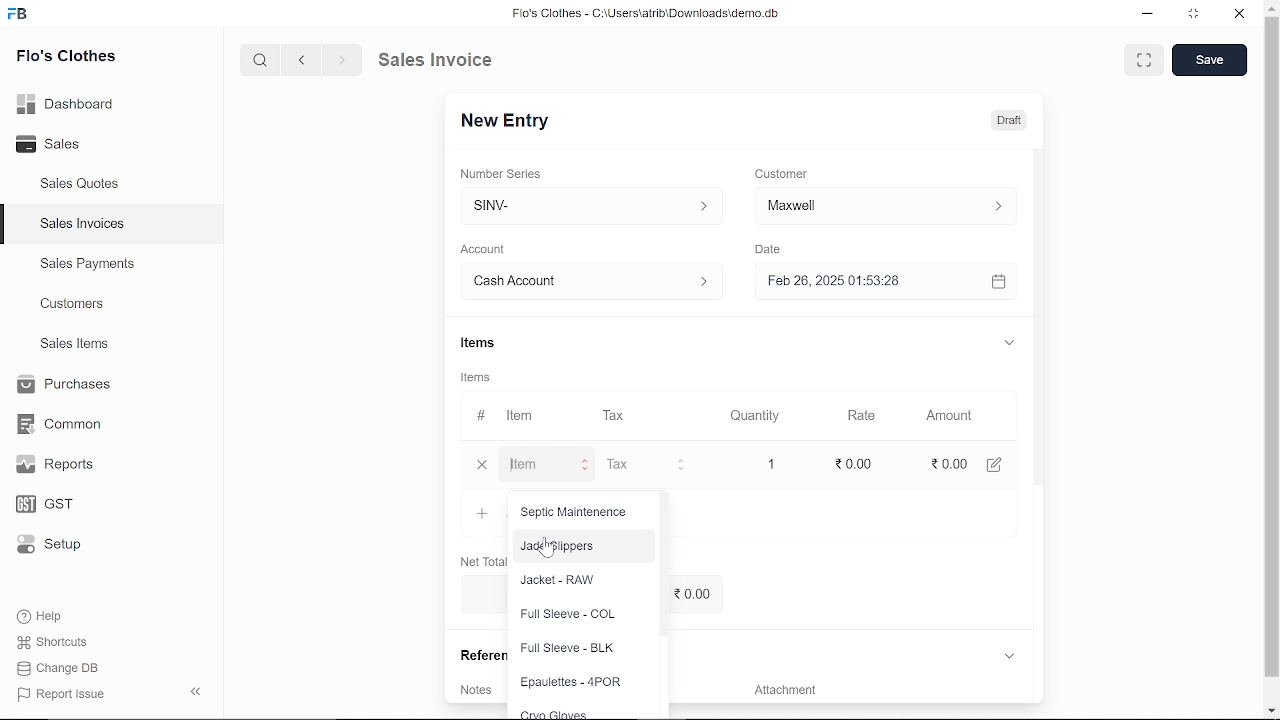 The image size is (1280, 720). I want to click on Item , so click(552, 464).